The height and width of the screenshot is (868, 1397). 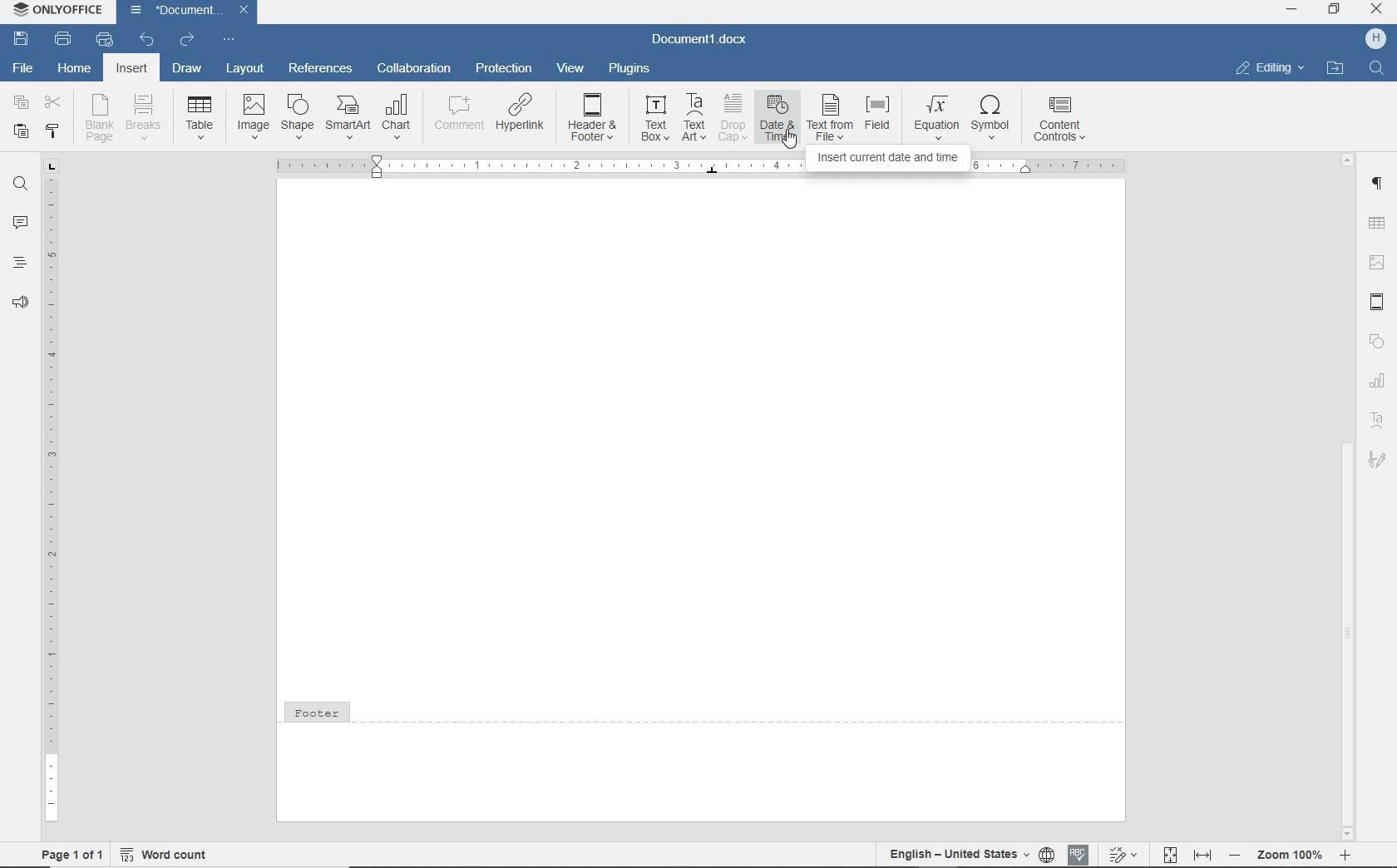 What do you see at coordinates (245, 70) in the screenshot?
I see `layout` at bounding box center [245, 70].